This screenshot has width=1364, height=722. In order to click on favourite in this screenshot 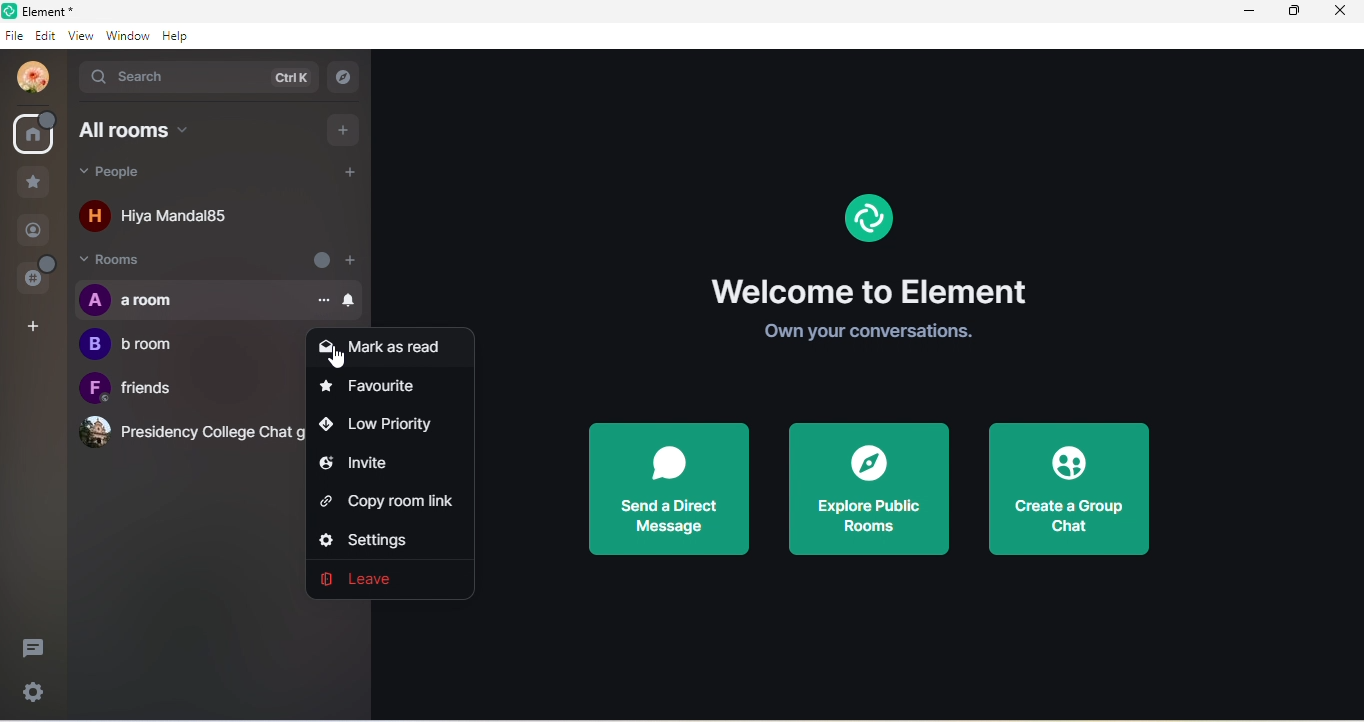, I will do `click(375, 391)`.